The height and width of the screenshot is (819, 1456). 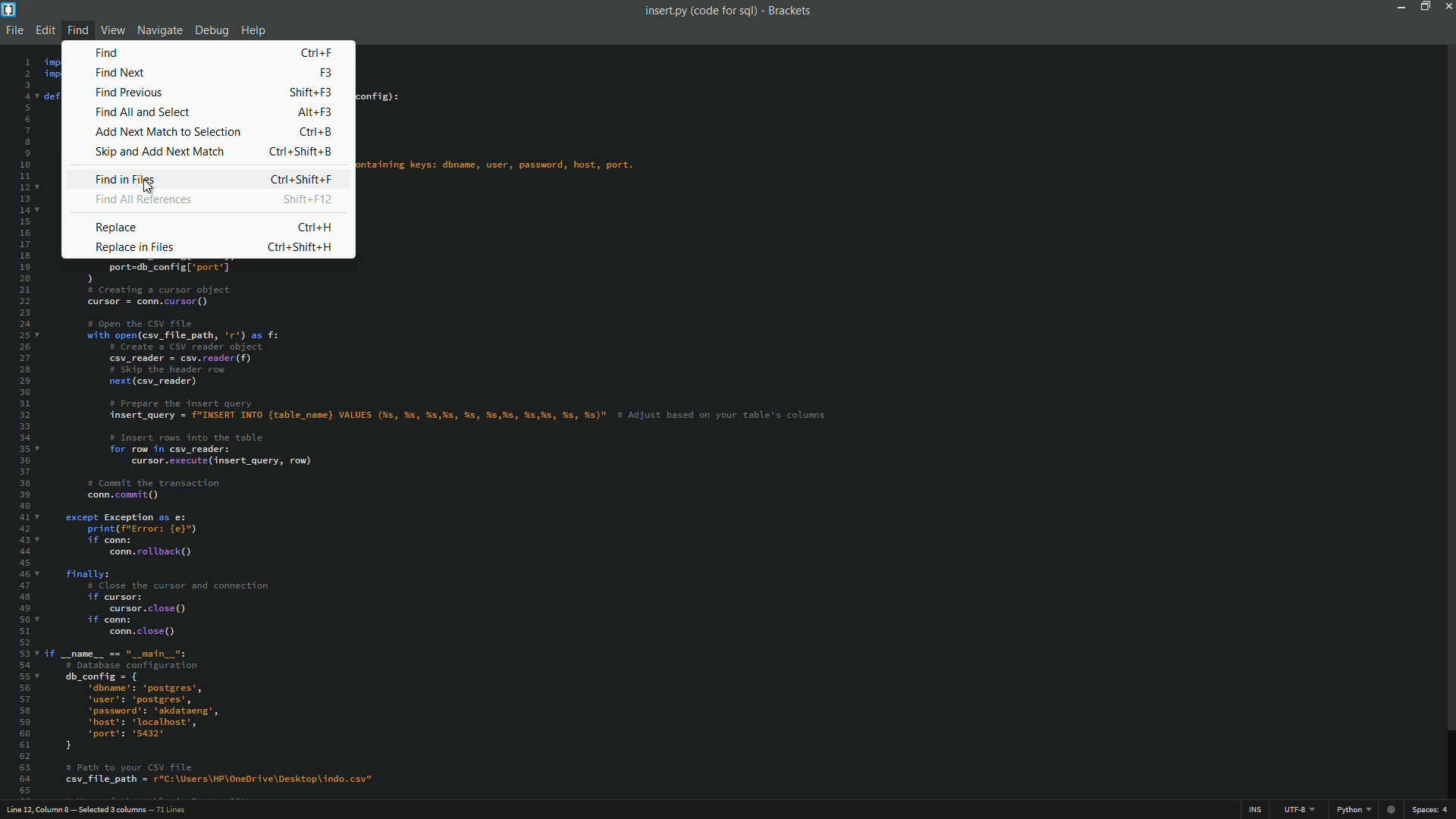 I want to click on file menu, so click(x=12, y=32).